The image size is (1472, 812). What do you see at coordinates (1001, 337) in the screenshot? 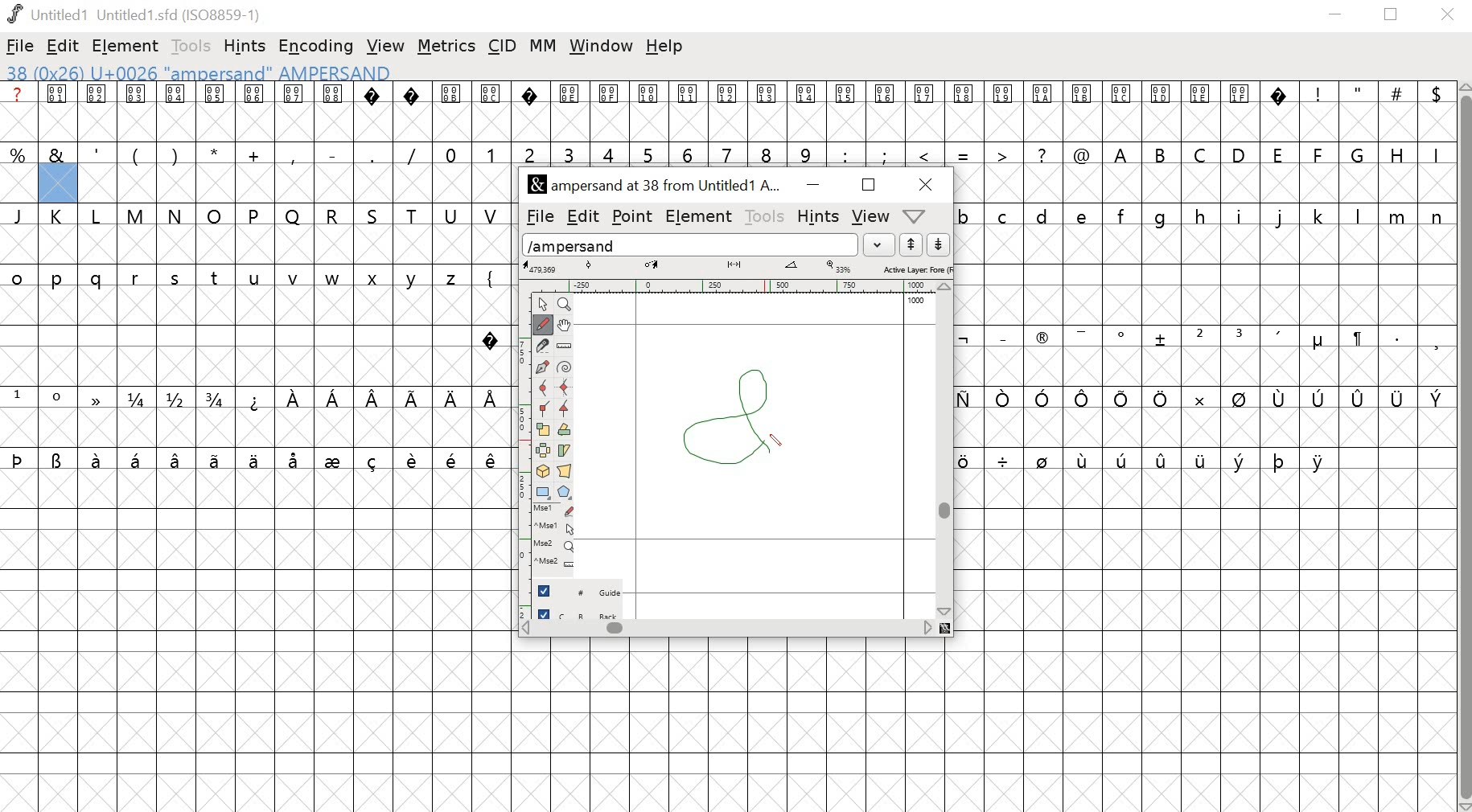
I see `_` at bounding box center [1001, 337].